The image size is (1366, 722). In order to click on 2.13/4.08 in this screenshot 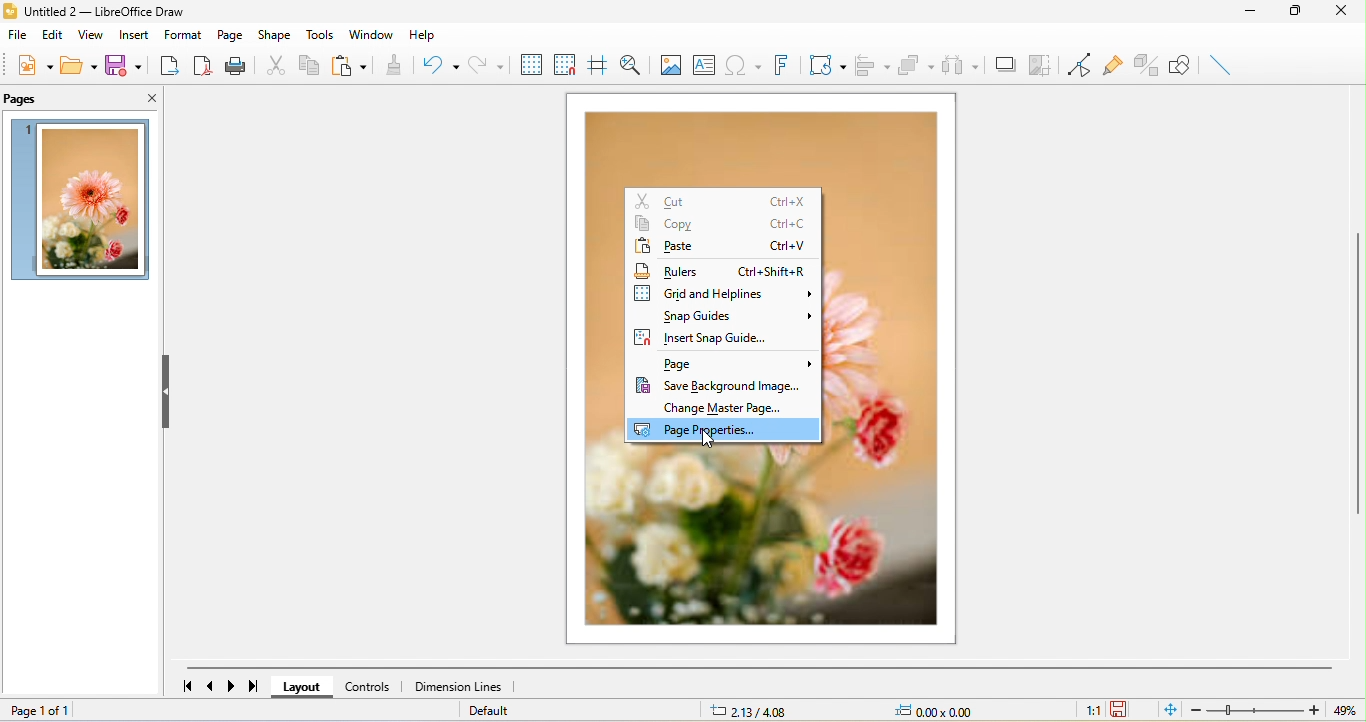, I will do `click(753, 711)`.